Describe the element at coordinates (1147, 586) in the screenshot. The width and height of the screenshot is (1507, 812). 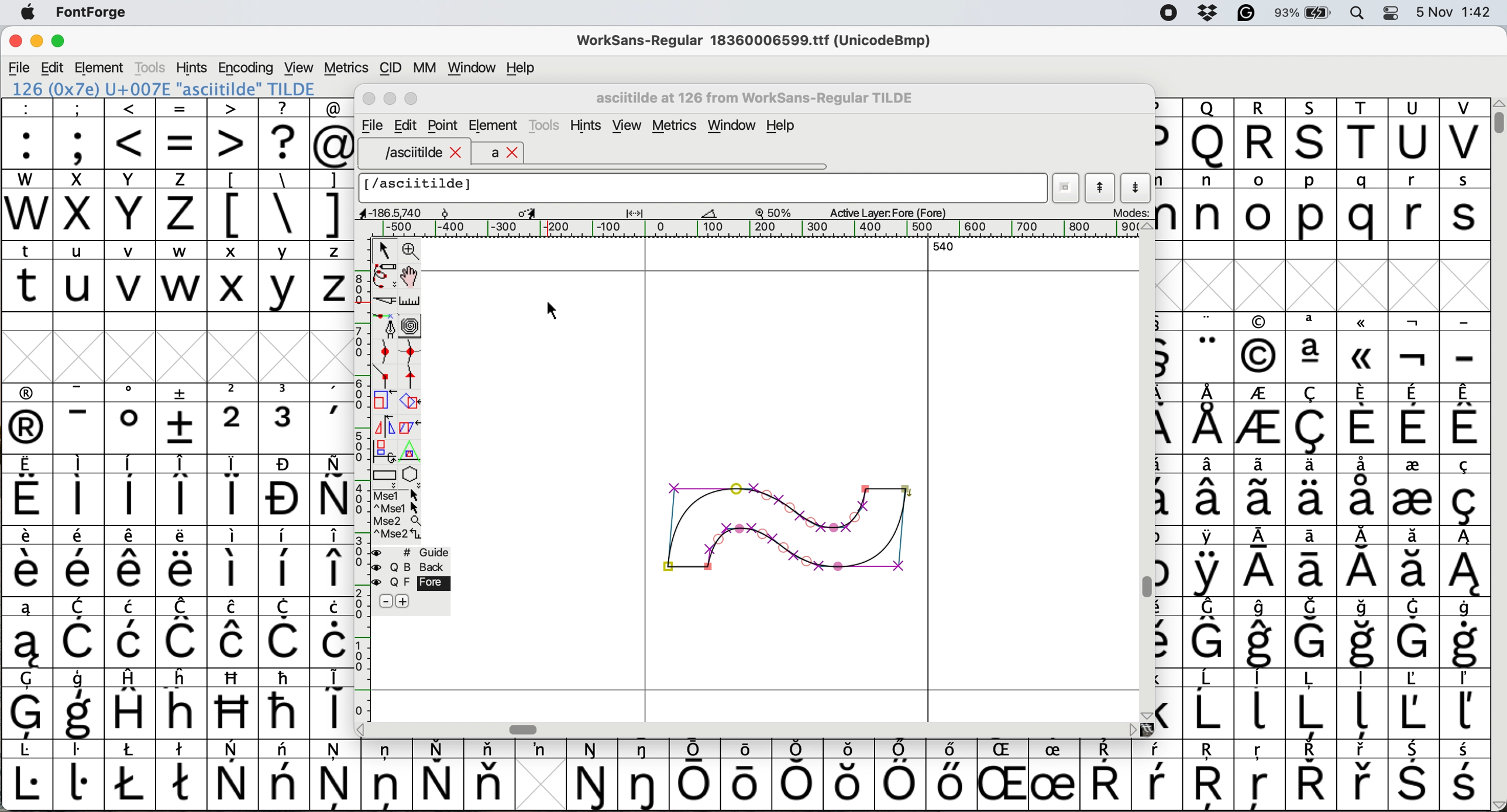
I see `Vertical scroll bar` at that location.